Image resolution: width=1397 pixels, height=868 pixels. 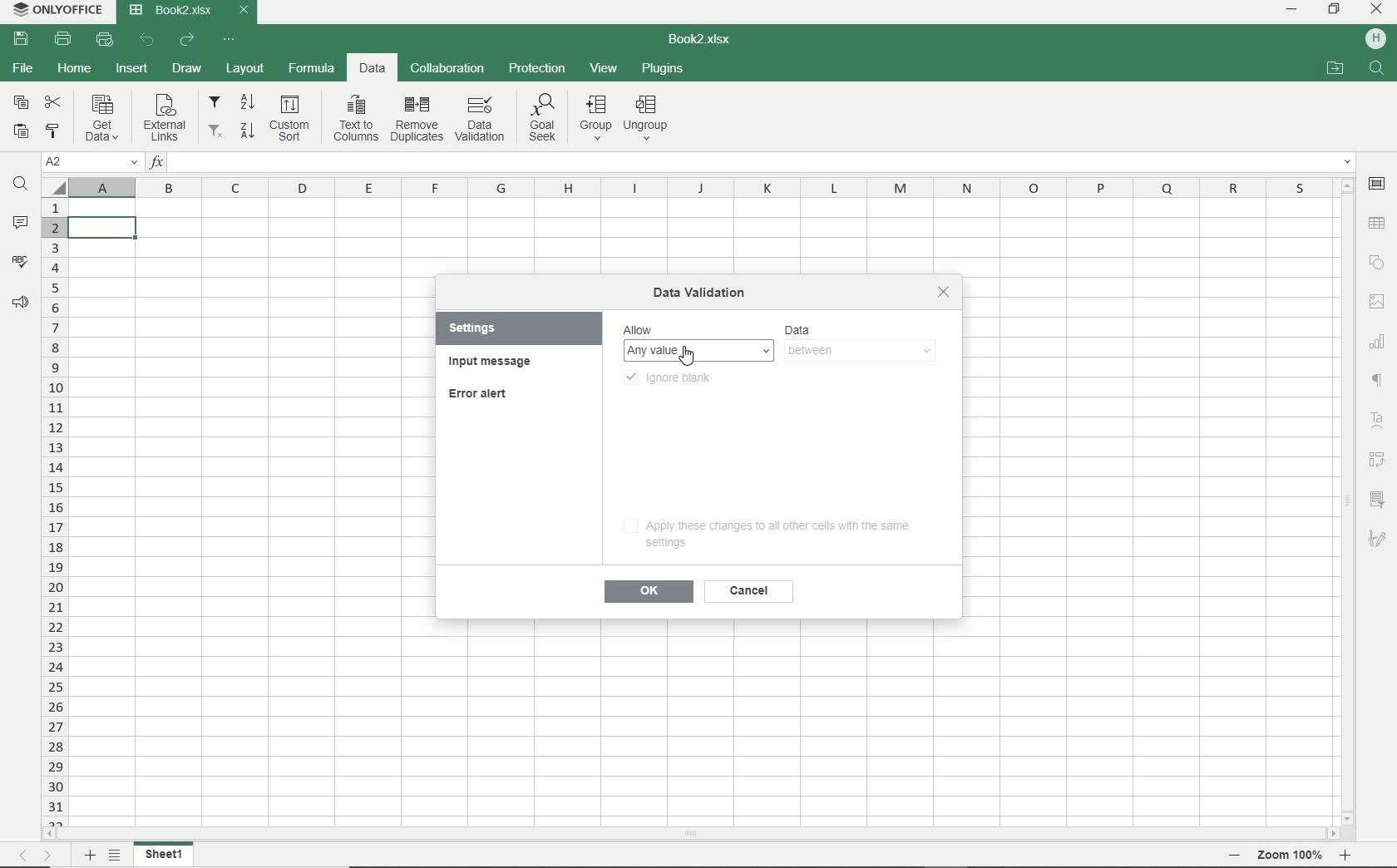 I want to click on FORMULA, so click(x=314, y=70).